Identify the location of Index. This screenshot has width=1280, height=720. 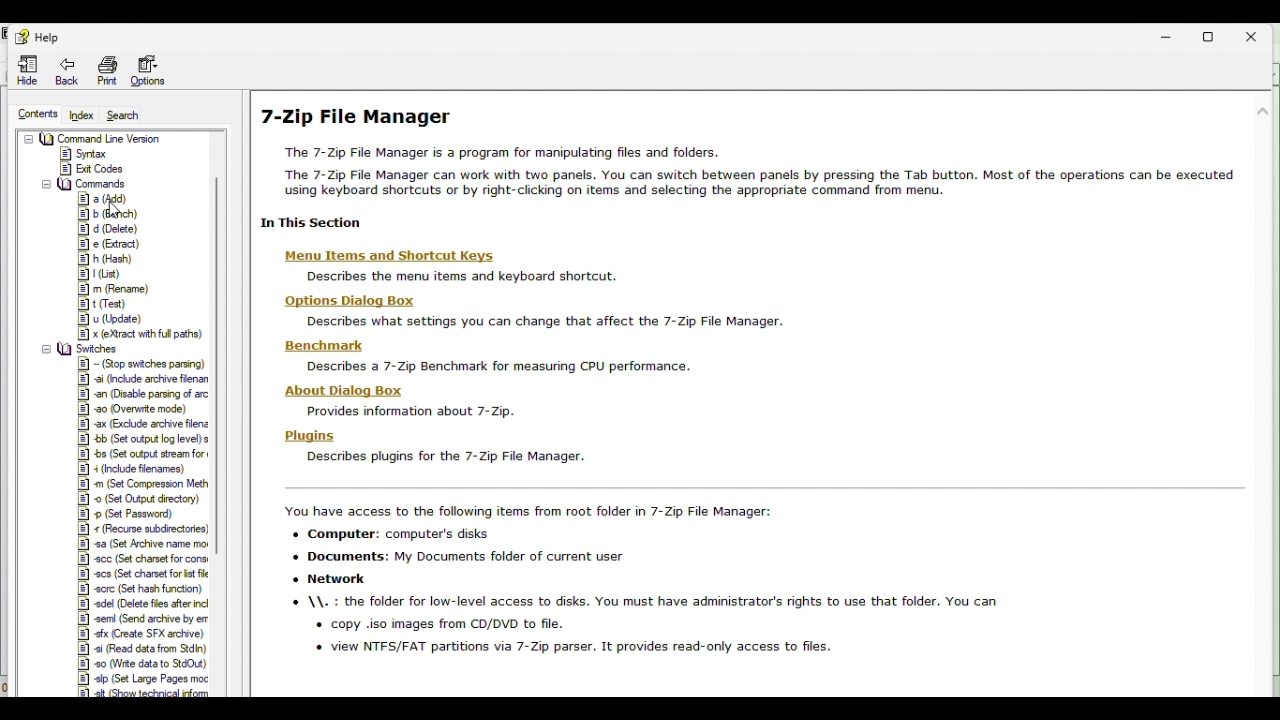
(83, 116).